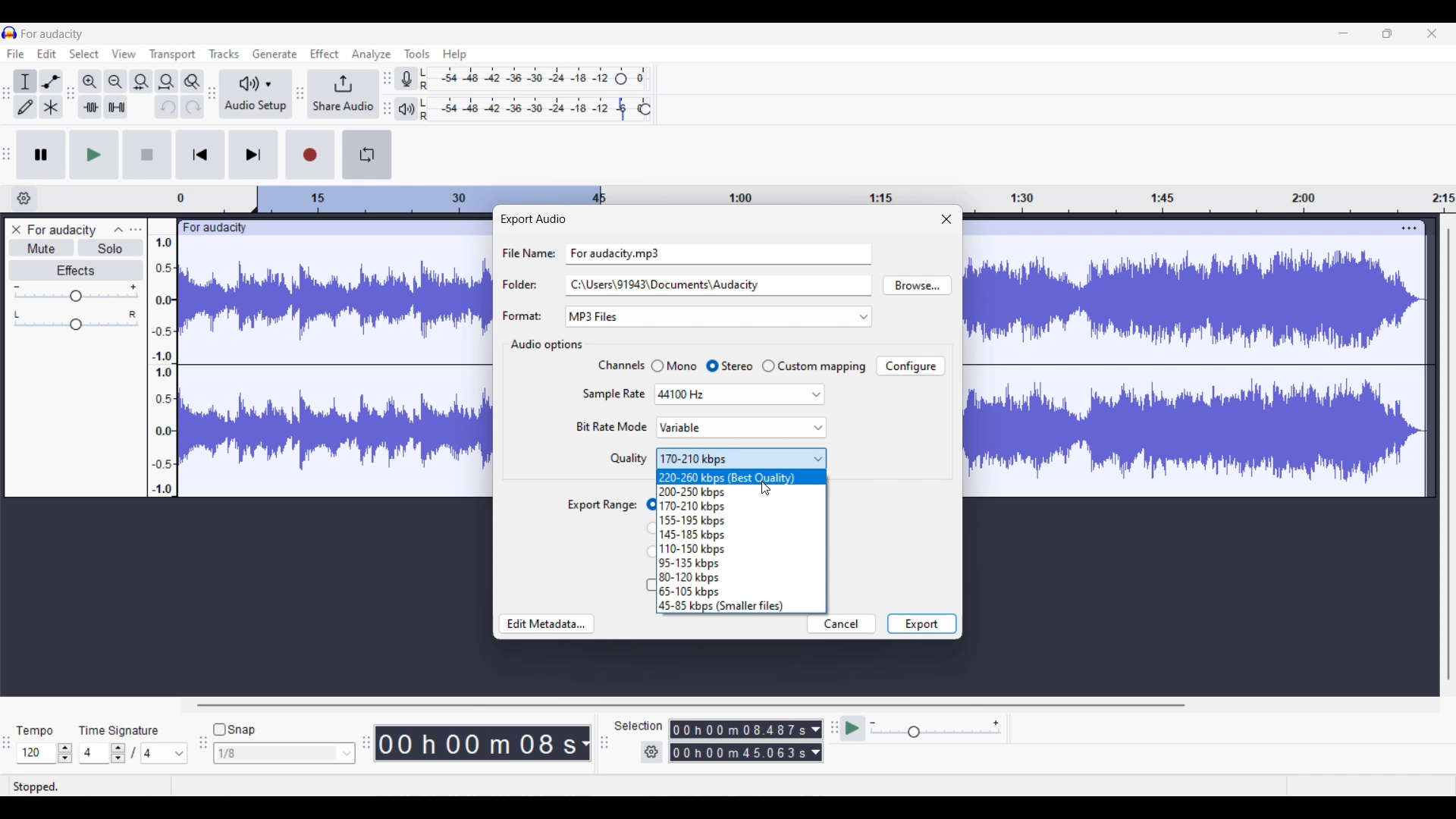  Describe the element at coordinates (527, 284) in the screenshot. I see `Indicates text box for respective setting options` at that location.